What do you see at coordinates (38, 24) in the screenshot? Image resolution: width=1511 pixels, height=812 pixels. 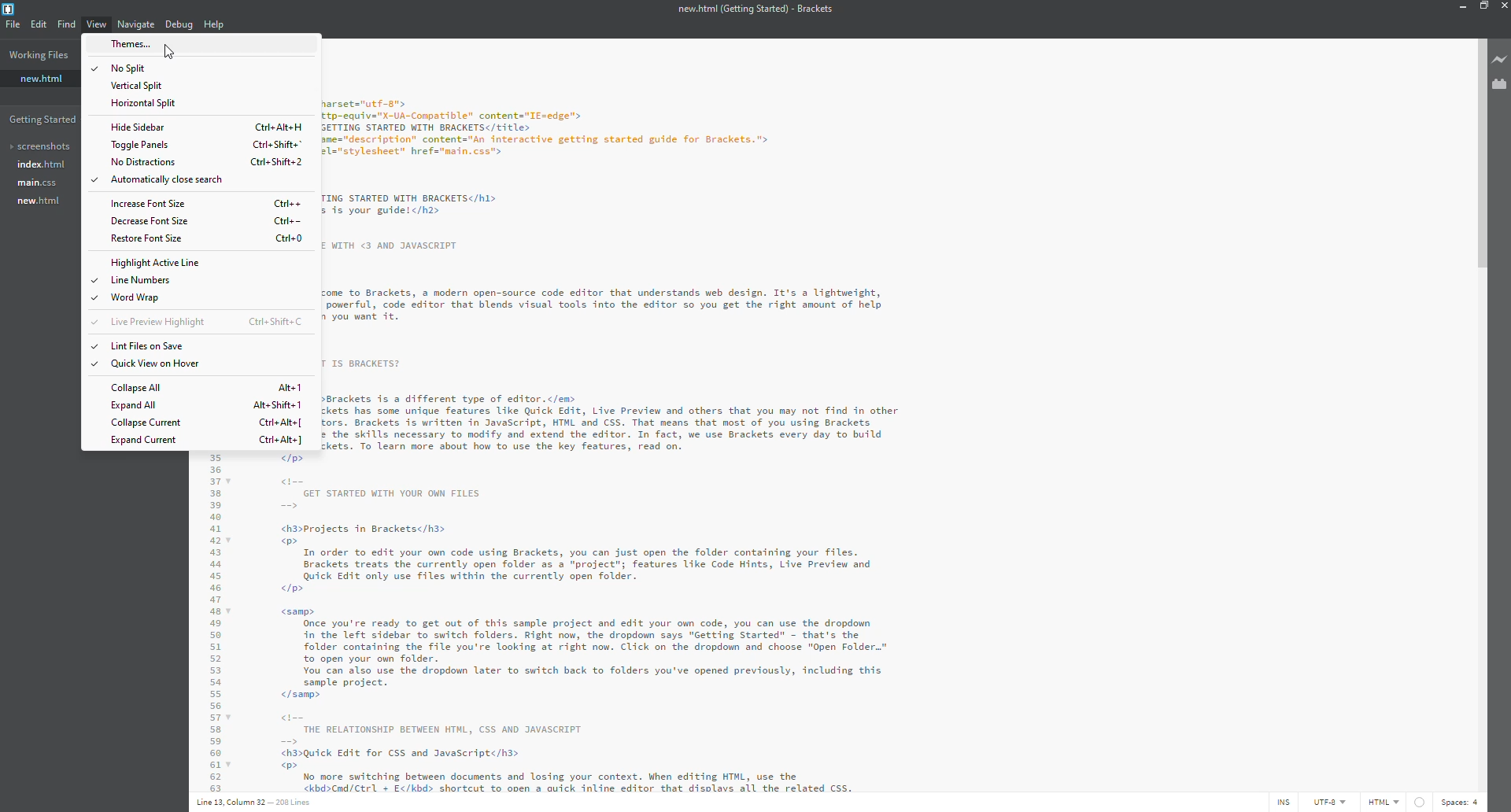 I see `edit` at bounding box center [38, 24].